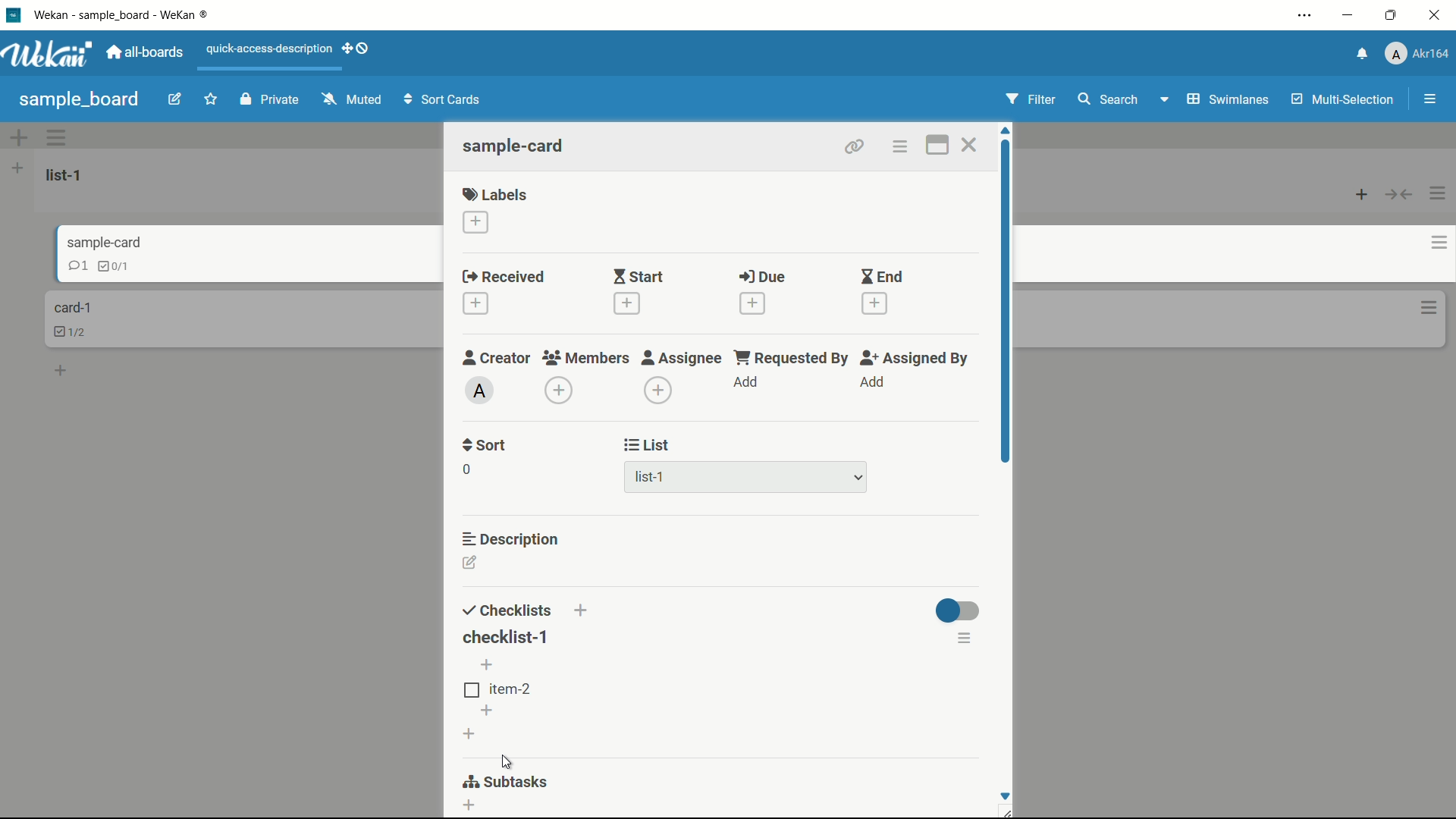 The width and height of the screenshot is (1456, 819). Describe the element at coordinates (583, 611) in the screenshot. I see `add checklist` at that location.